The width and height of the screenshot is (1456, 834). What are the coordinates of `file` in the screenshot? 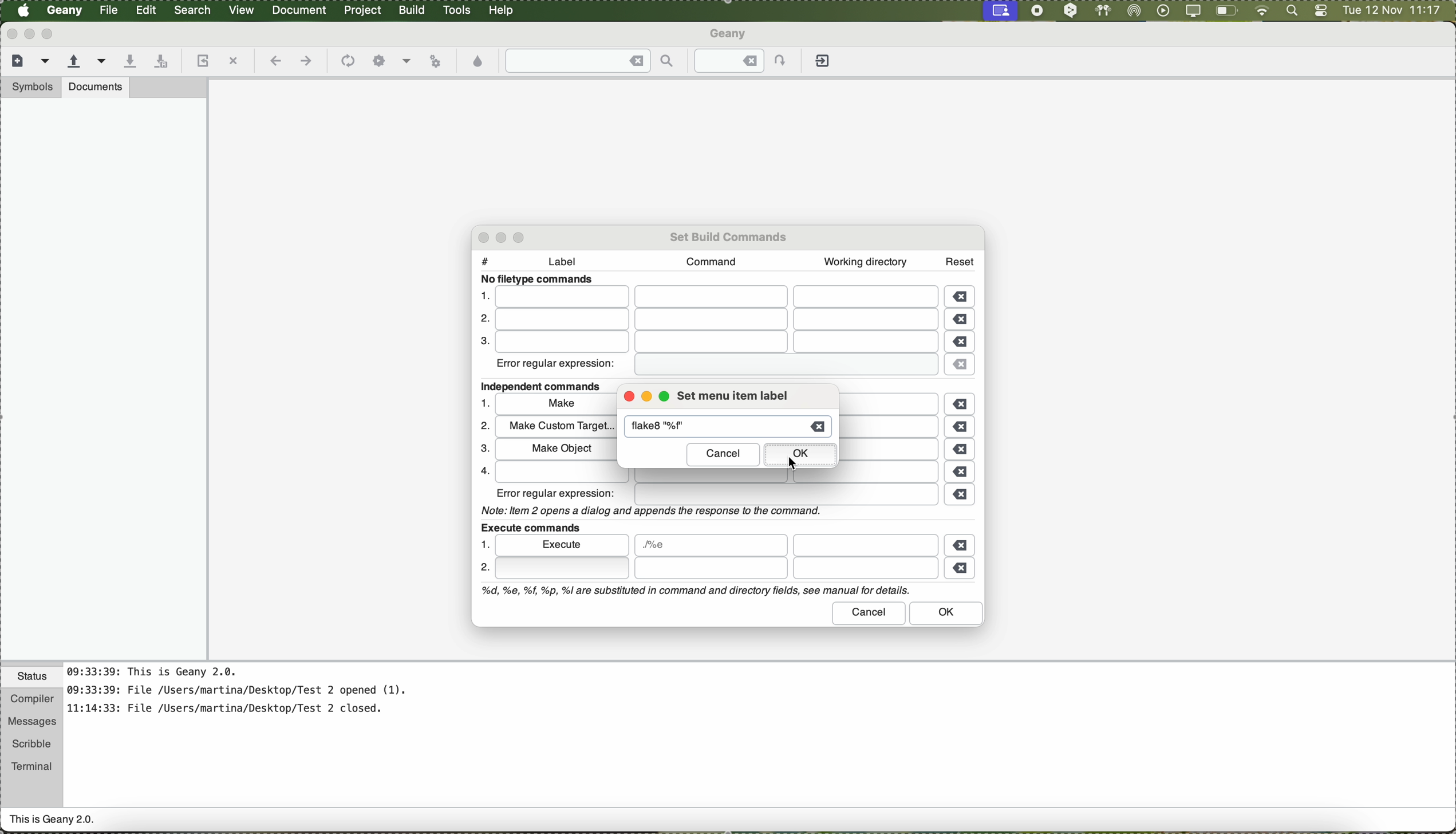 It's located at (714, 343).